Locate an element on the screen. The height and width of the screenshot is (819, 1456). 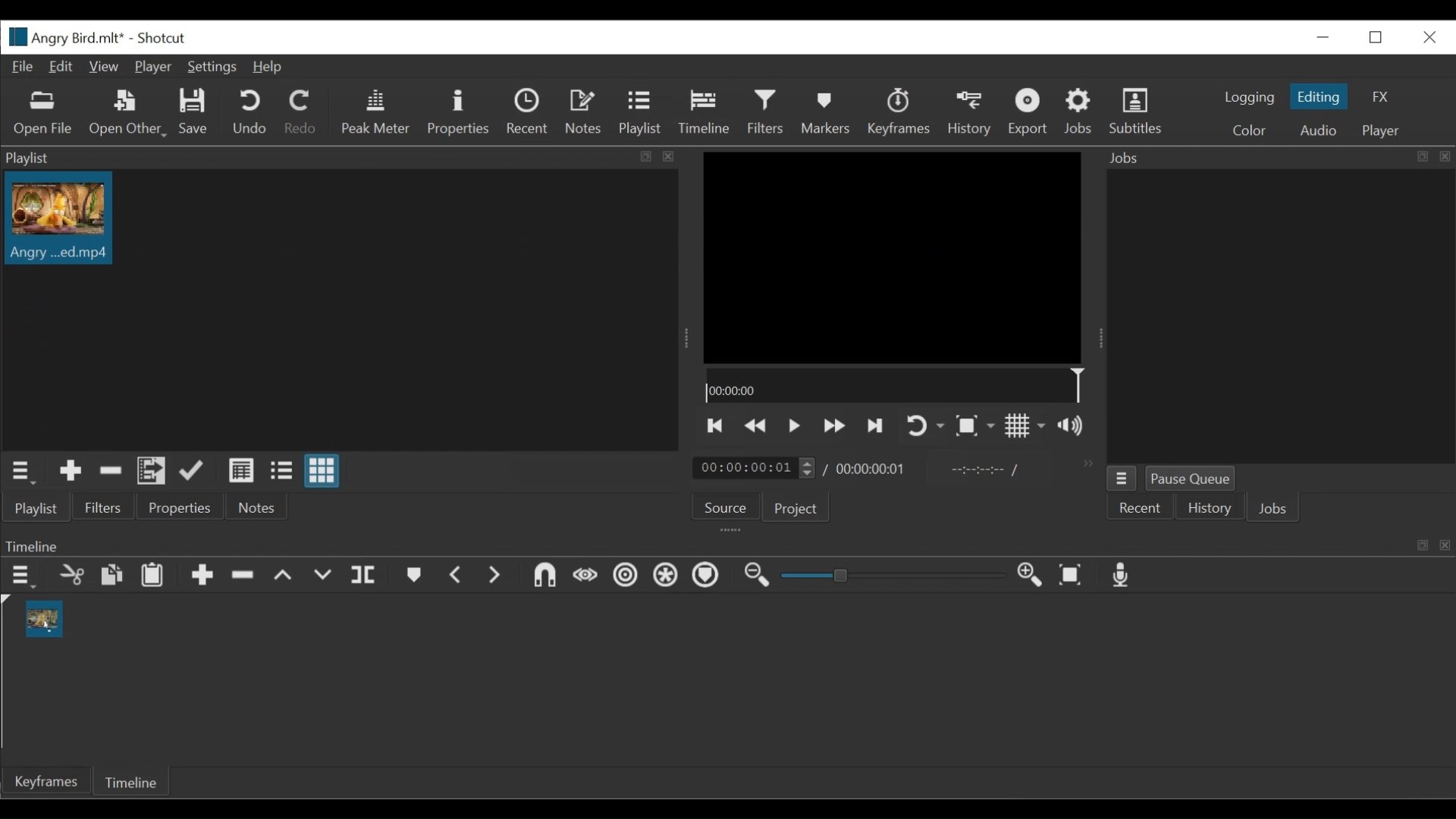
Scrub while dragging is located at coordinates (586, 576).